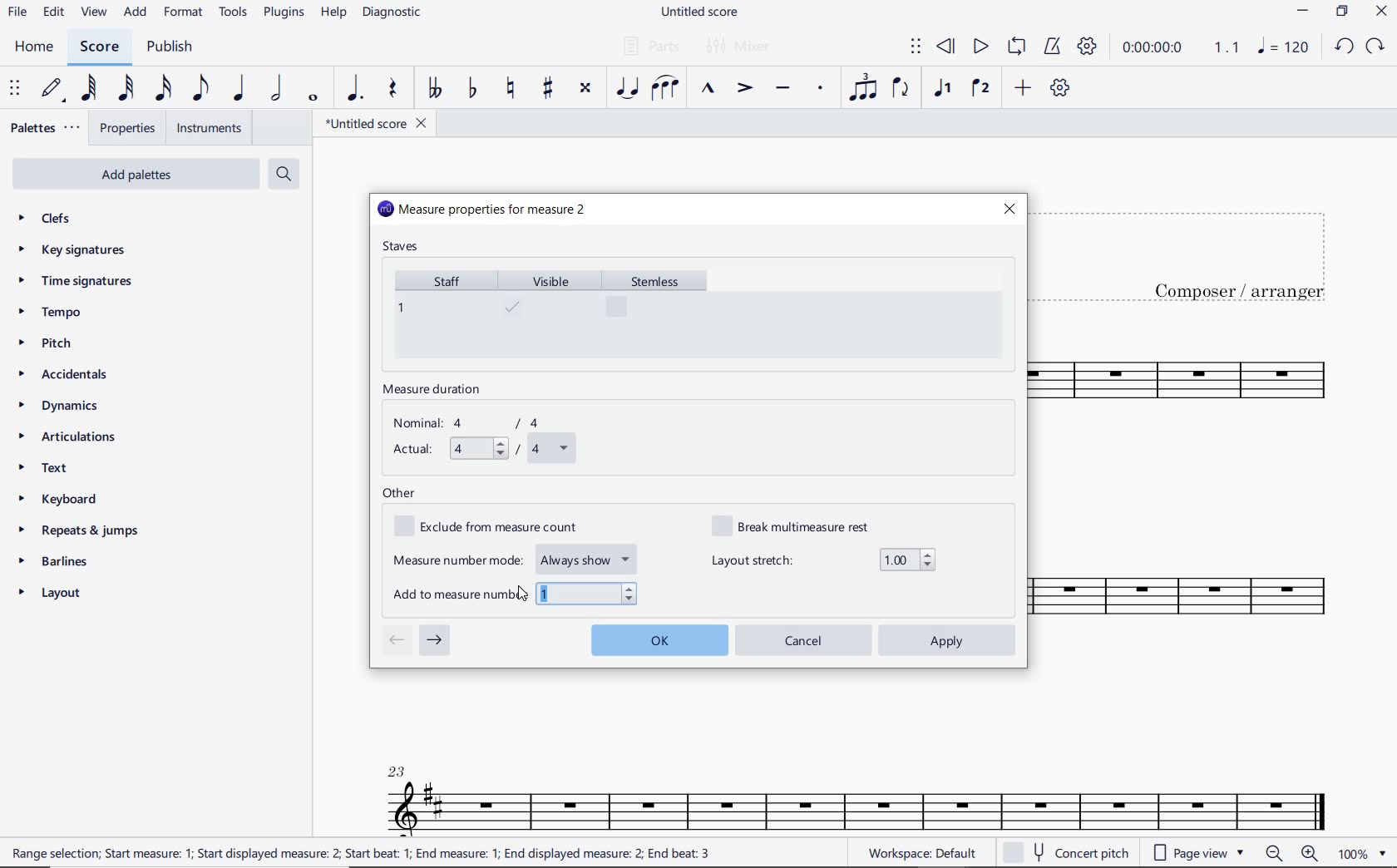 The height and width of the screenshot is (868, 1397). Describe the element at coordinates (170, 48) in the screenshot. I see `PUBLISH` at that location.